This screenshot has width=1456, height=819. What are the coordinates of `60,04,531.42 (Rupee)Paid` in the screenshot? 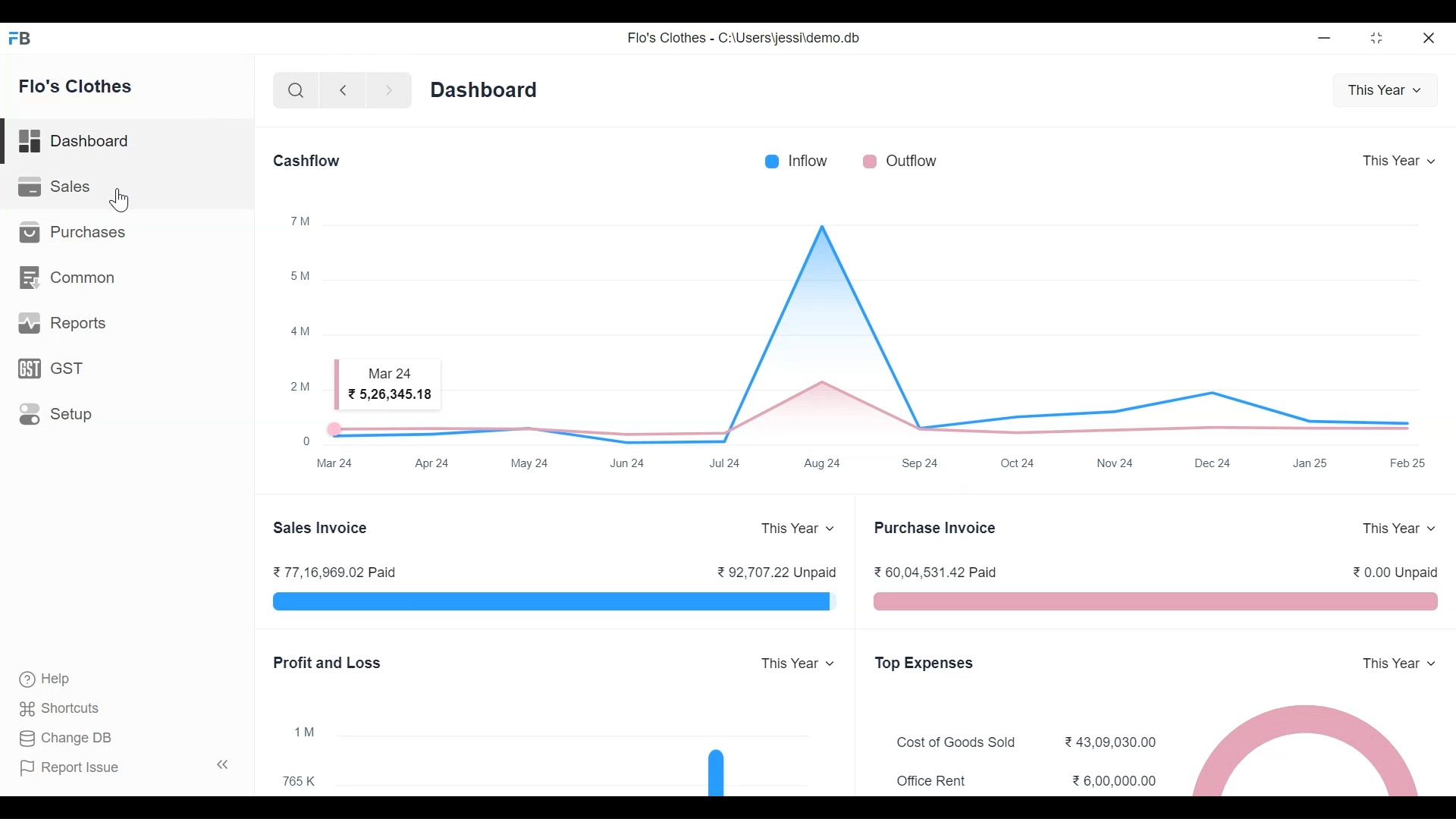 It's located at (939, 572).